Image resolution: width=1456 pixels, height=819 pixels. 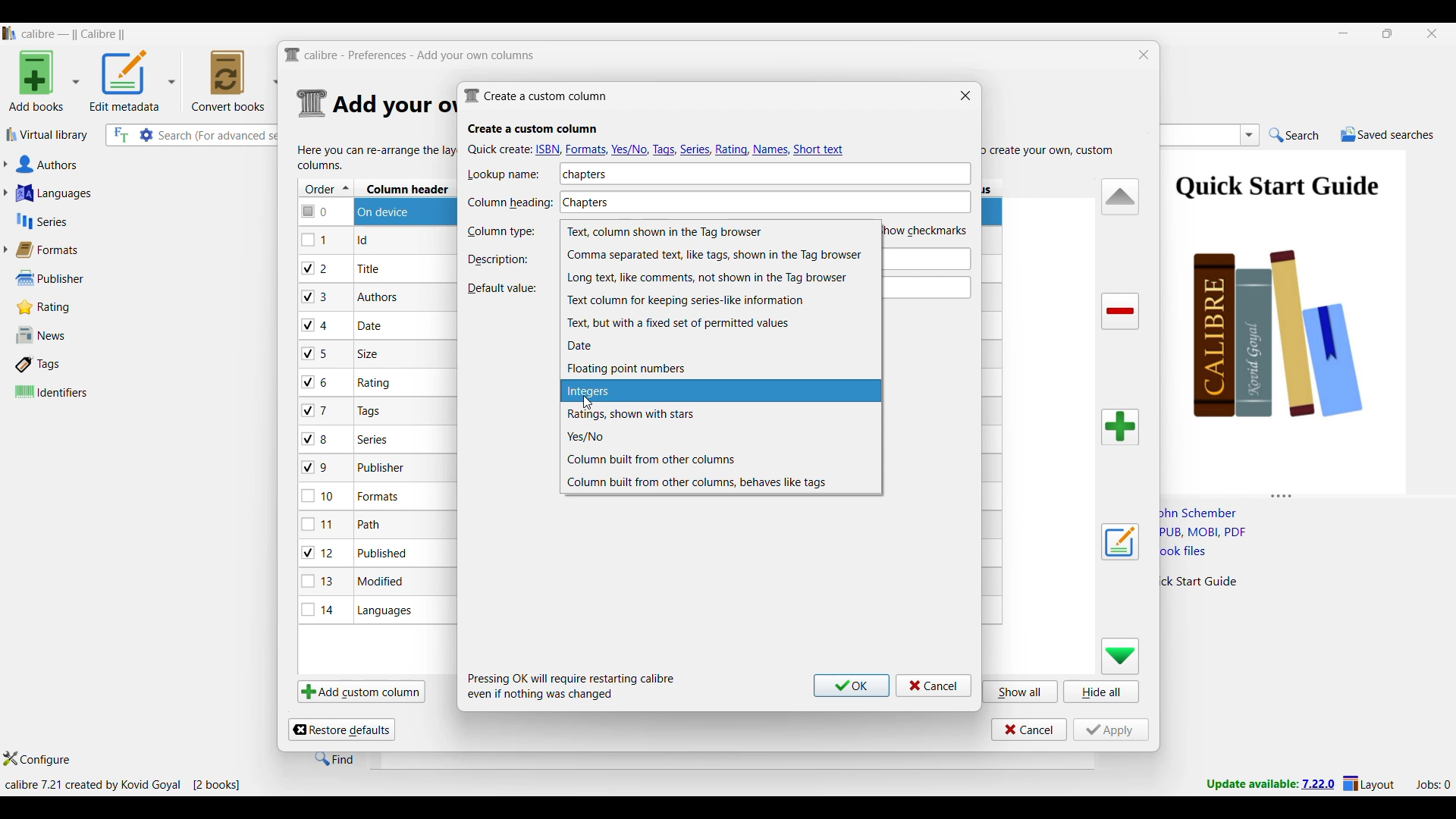 I want to click on Title and logo of current window, so click(x=410, y=55).